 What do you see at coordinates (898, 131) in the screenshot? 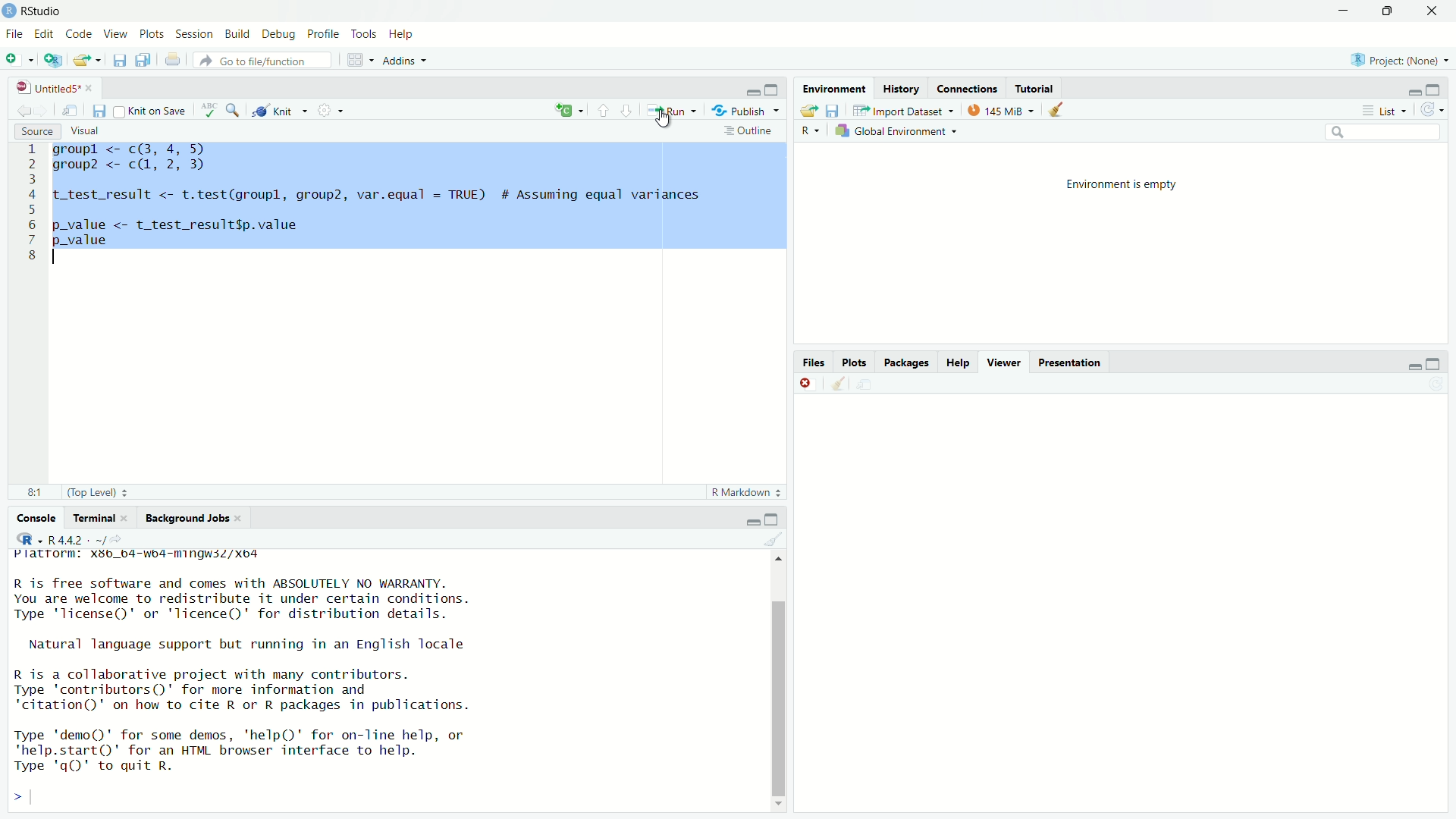
I see `Global Environment` at bounding box center [898, 131].